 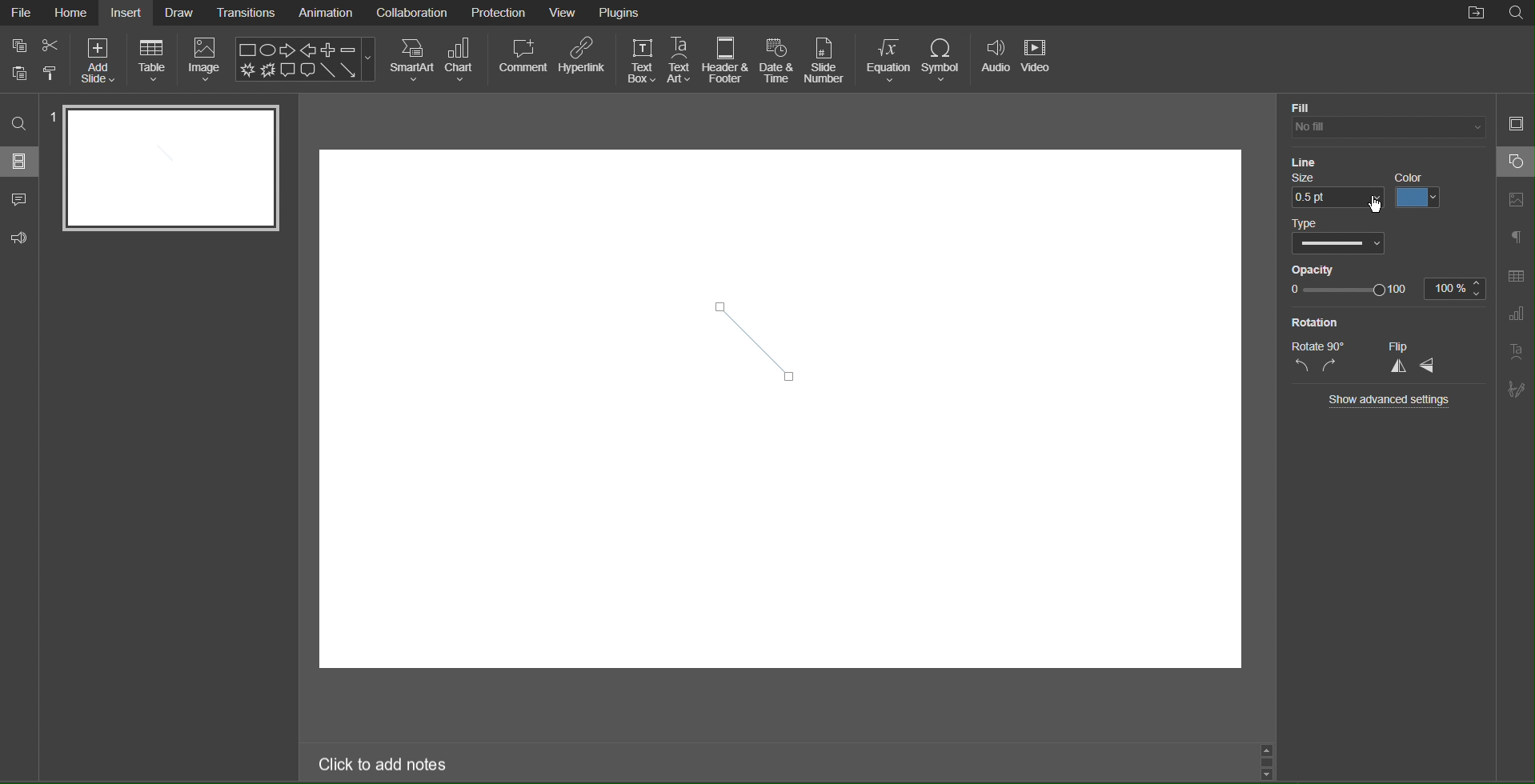 What do you see at coordinates (248, 12) in the screenshot?
I see `Transitions` at bounding box center [248, 12].